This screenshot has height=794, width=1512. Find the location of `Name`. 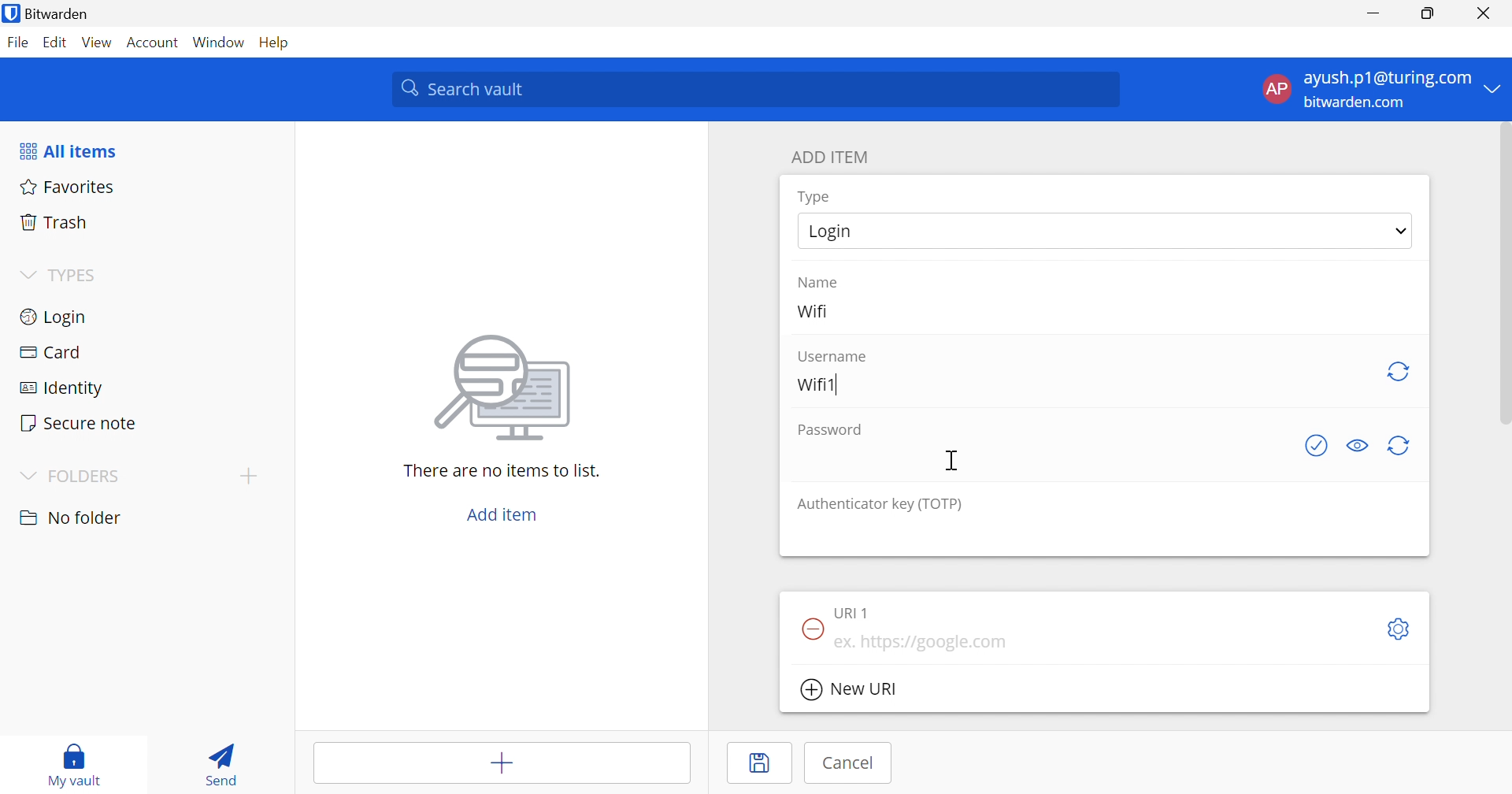

Name is located at coordinates (817, 283).